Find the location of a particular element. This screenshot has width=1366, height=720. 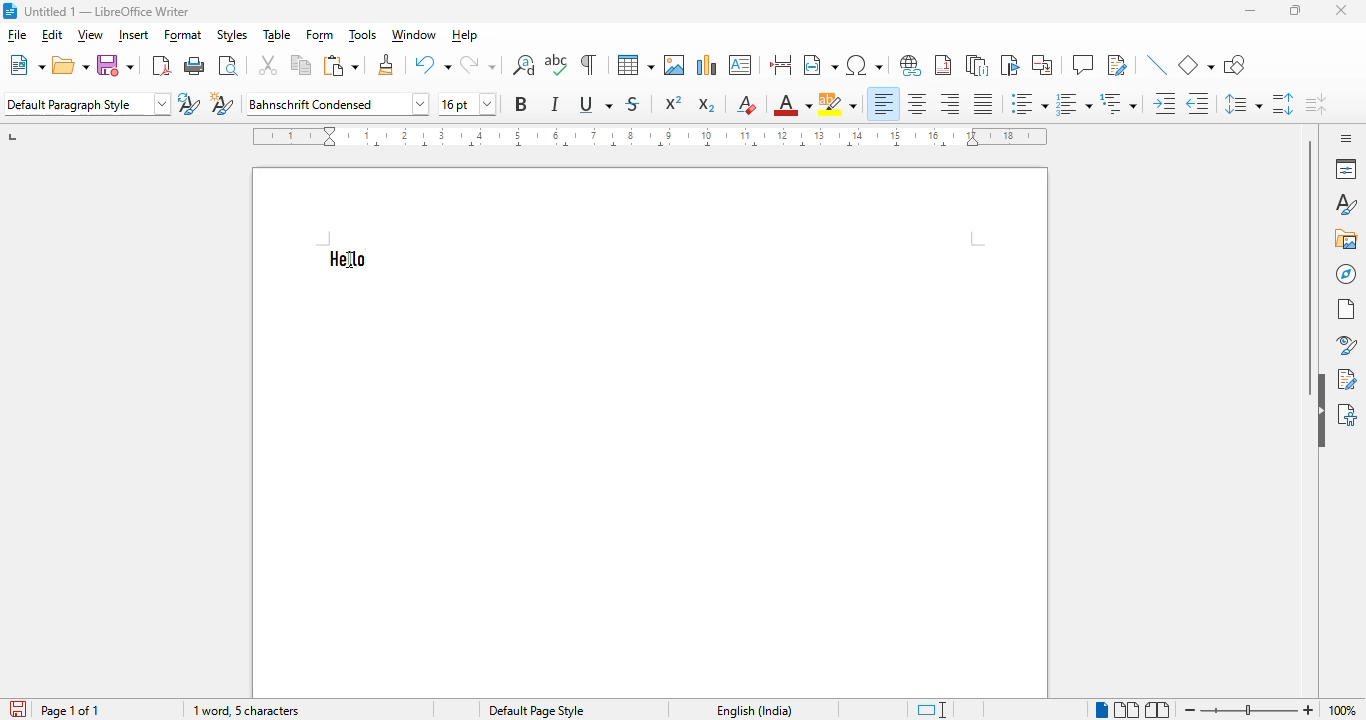

insert special characters is located at coordinates (867, 65).